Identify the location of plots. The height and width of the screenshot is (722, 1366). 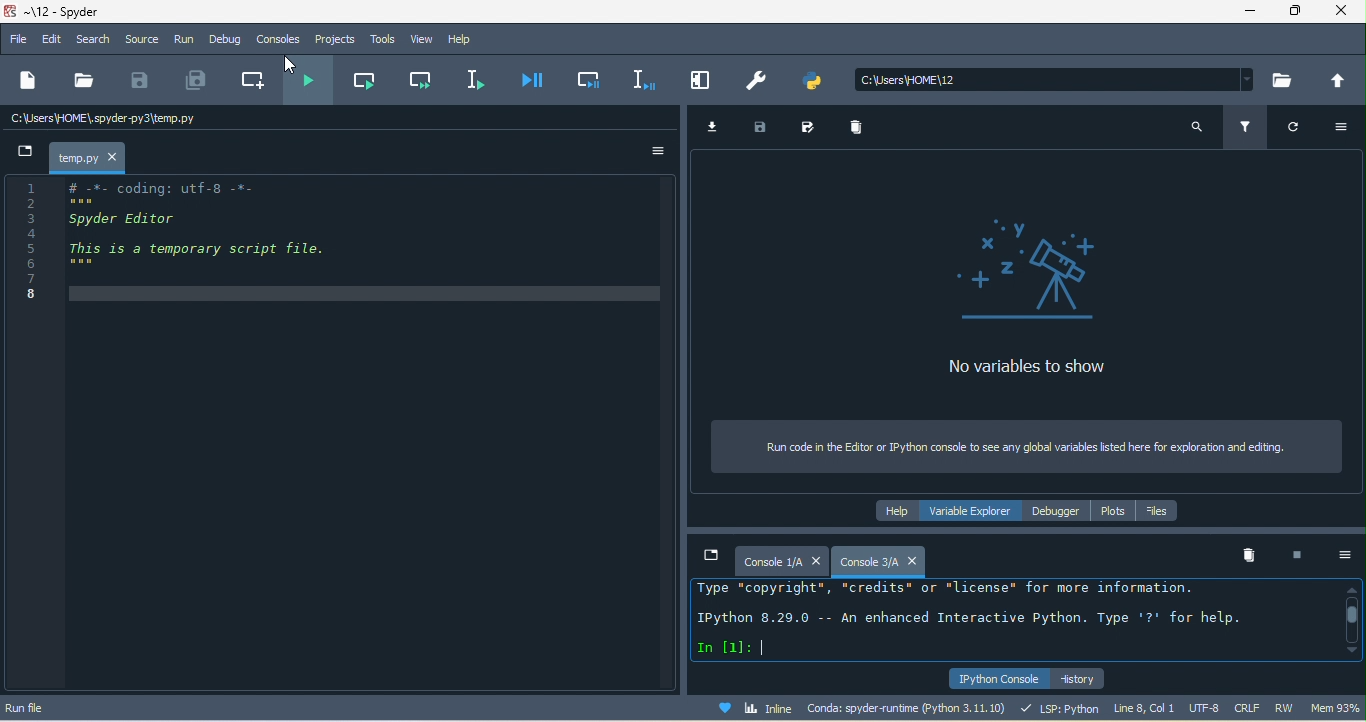
(1115, 512).